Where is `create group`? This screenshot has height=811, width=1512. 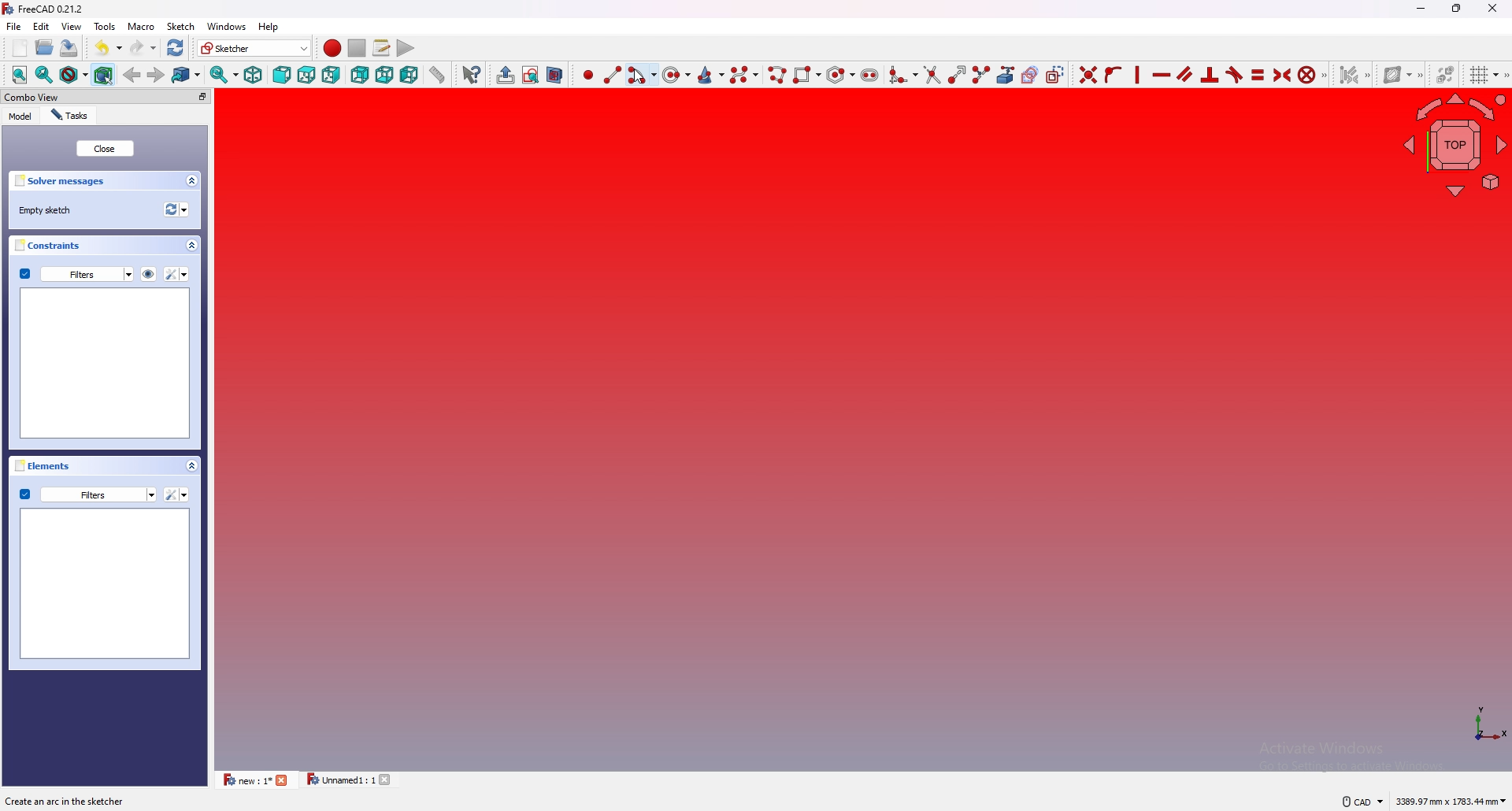
create group is located at coordinates (506, 75).